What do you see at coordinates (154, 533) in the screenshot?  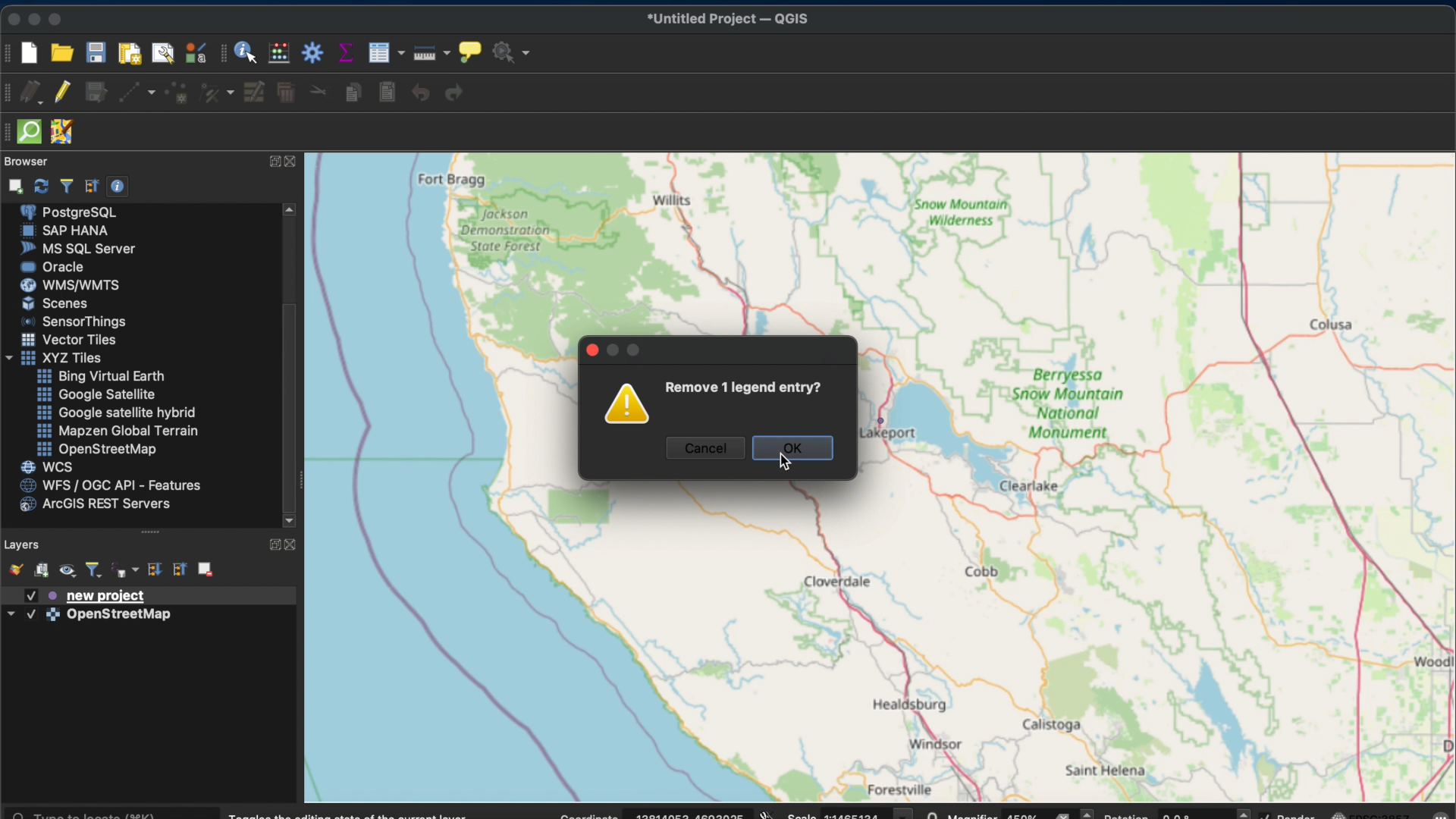 I see `drag handle` at bounding box center [154, 533].